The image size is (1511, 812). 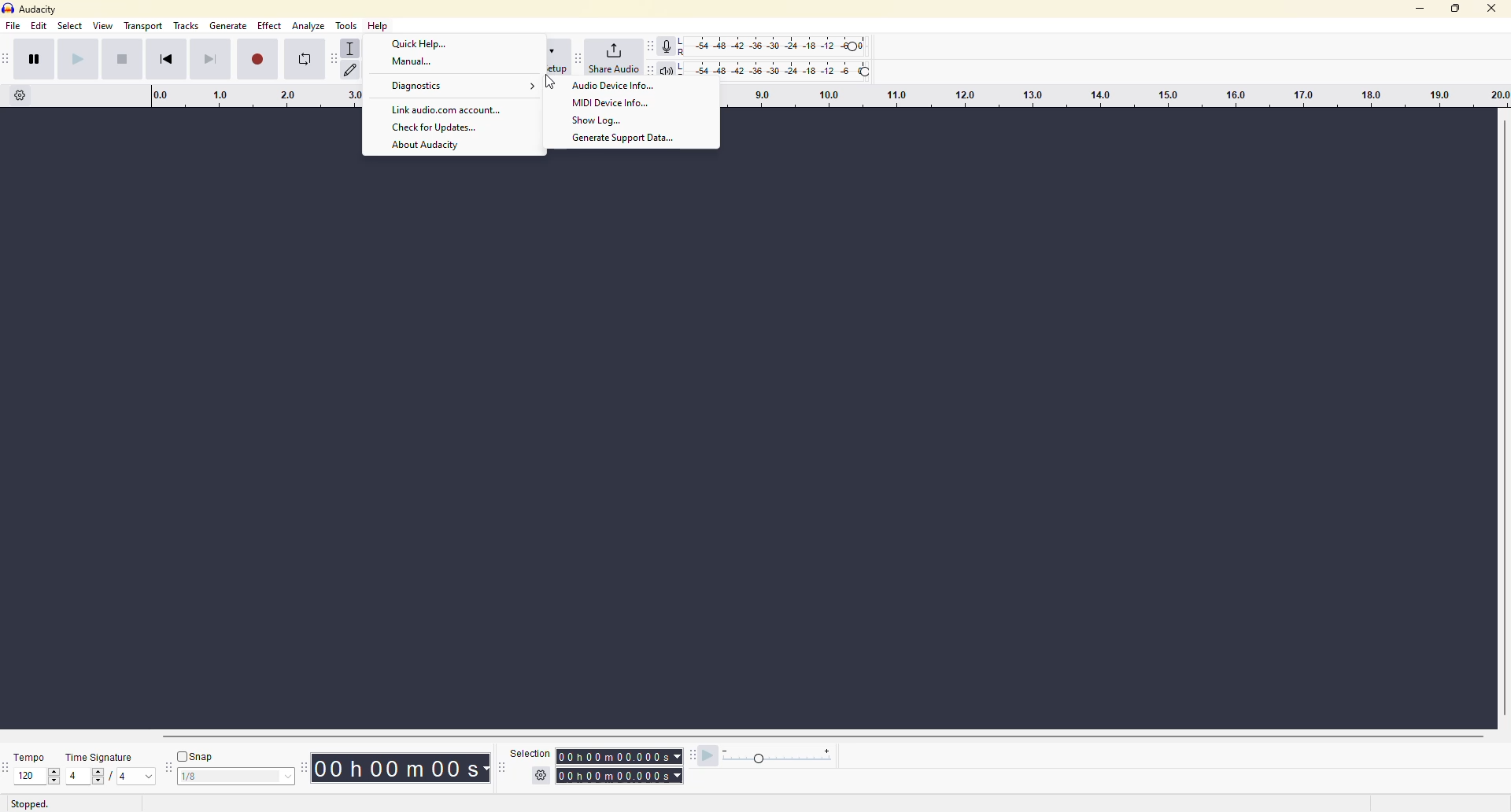 What do you see at coordinates (39, 9) in the screenshot?
I see `audacity` at bounding box center [39, 9].